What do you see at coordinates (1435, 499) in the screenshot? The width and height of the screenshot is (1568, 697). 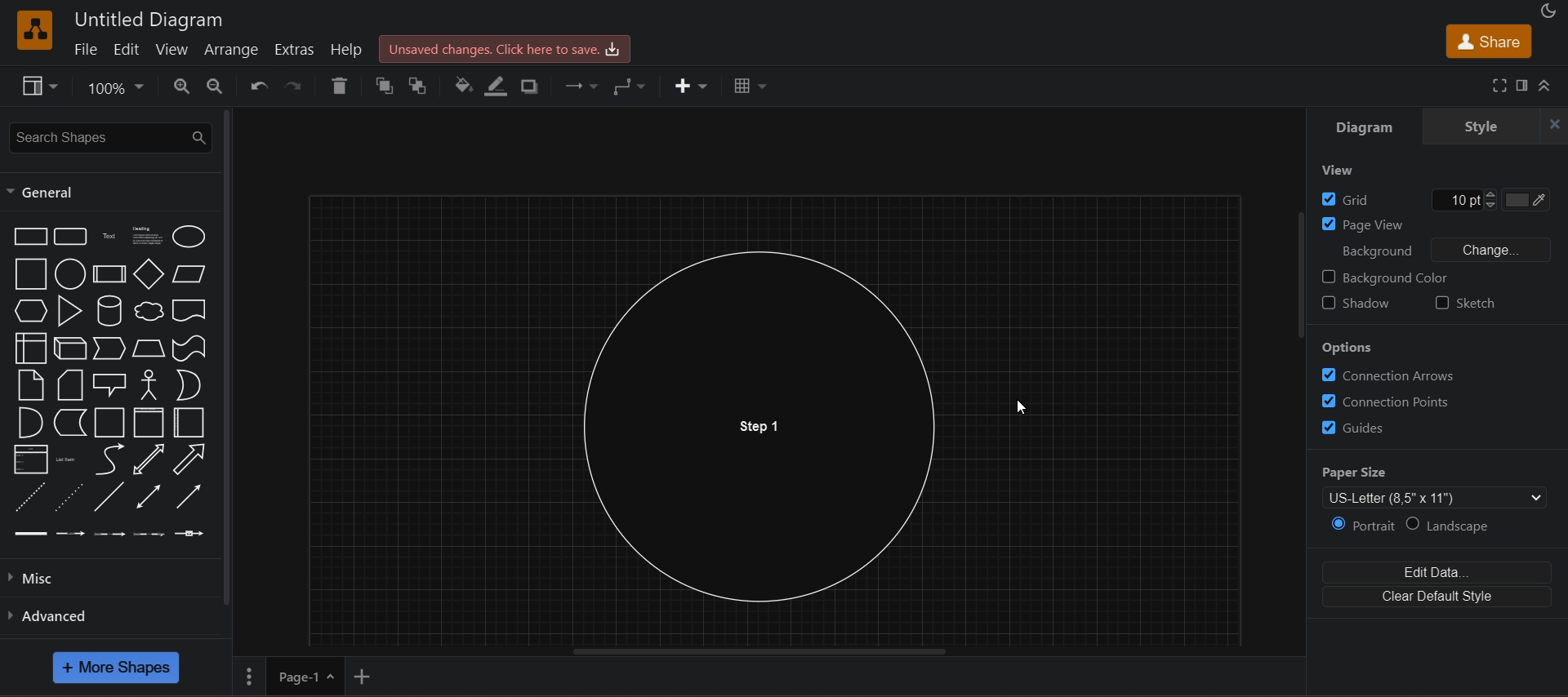 I see `us letter (8.5' x 11')` at bounding box center [1435, 499].